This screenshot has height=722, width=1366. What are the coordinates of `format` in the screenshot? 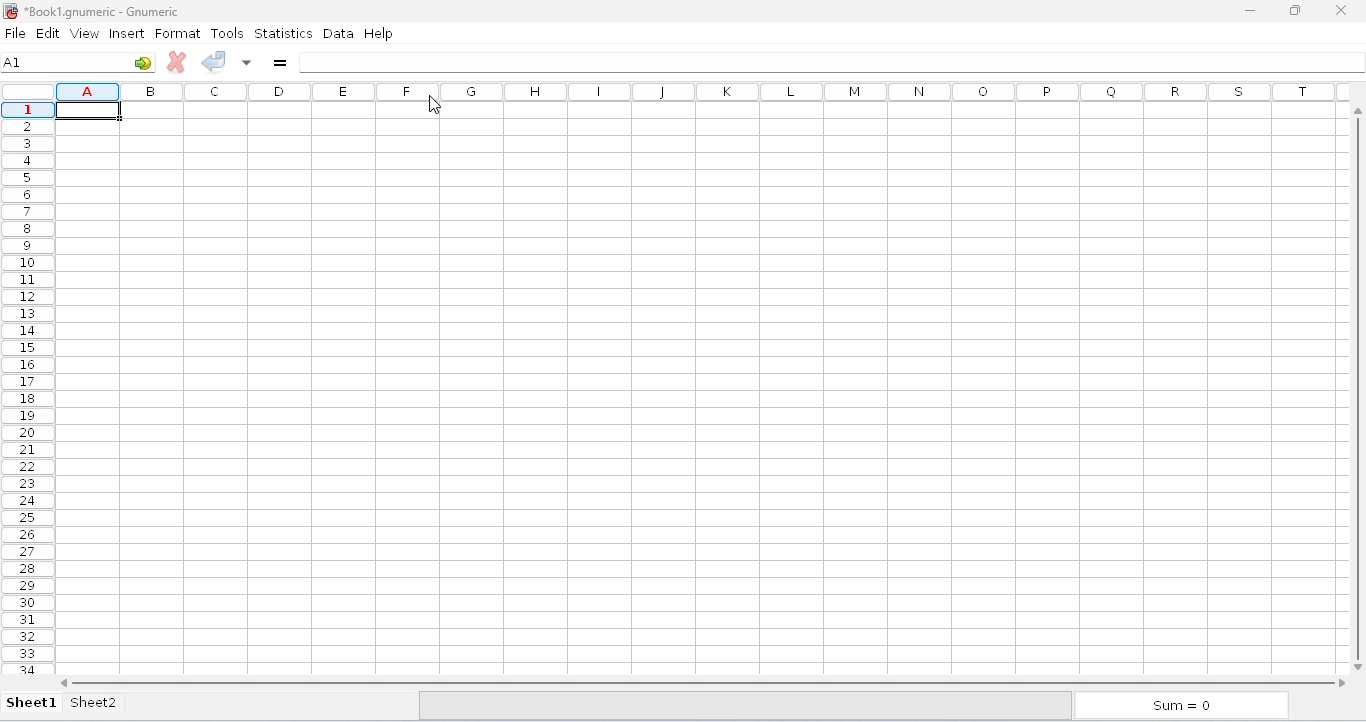 It's located at (178, 34).